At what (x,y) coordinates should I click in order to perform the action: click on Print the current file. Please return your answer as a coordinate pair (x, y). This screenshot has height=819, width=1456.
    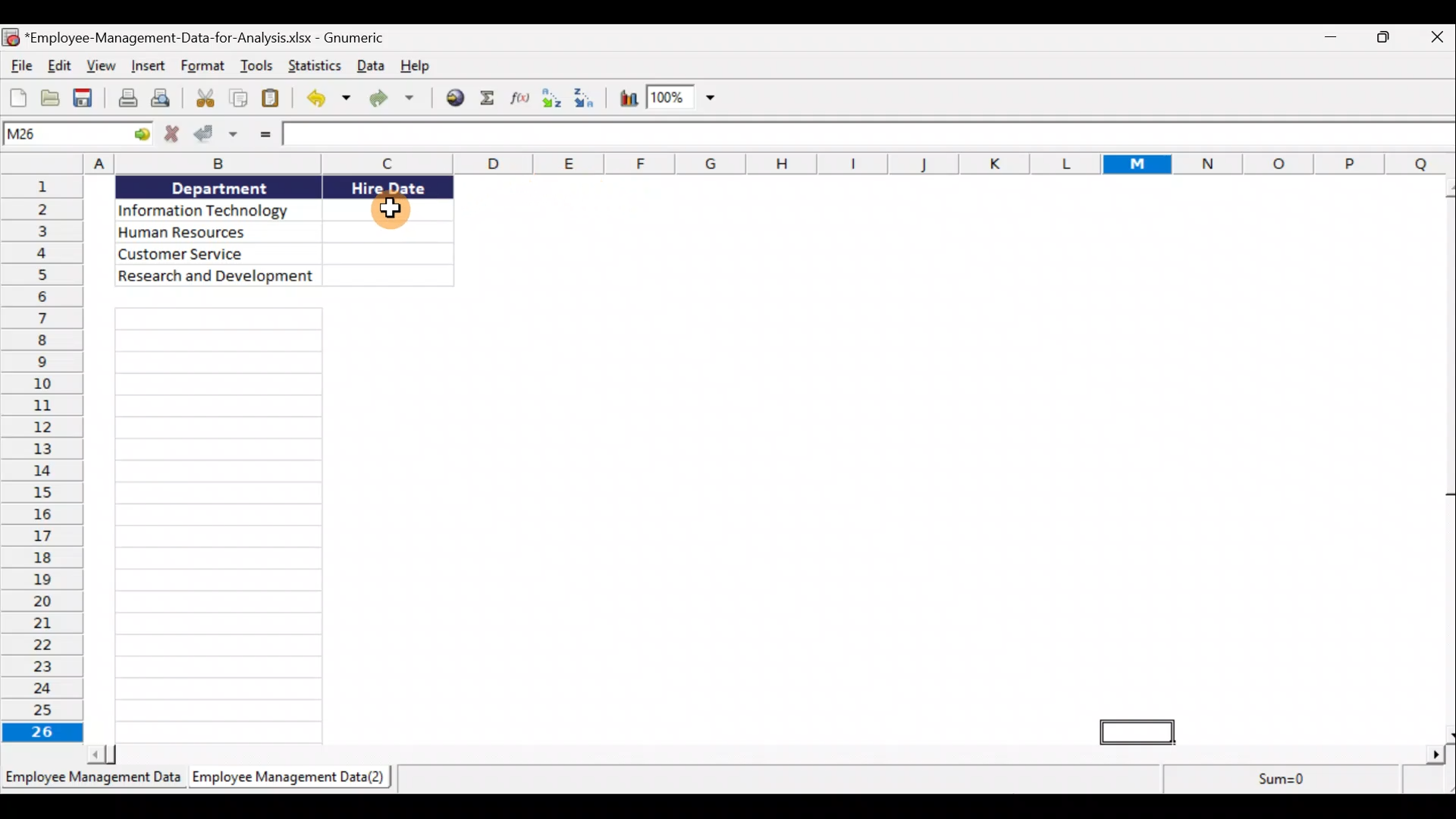
    Looking at the image, I should click on (124, 99).